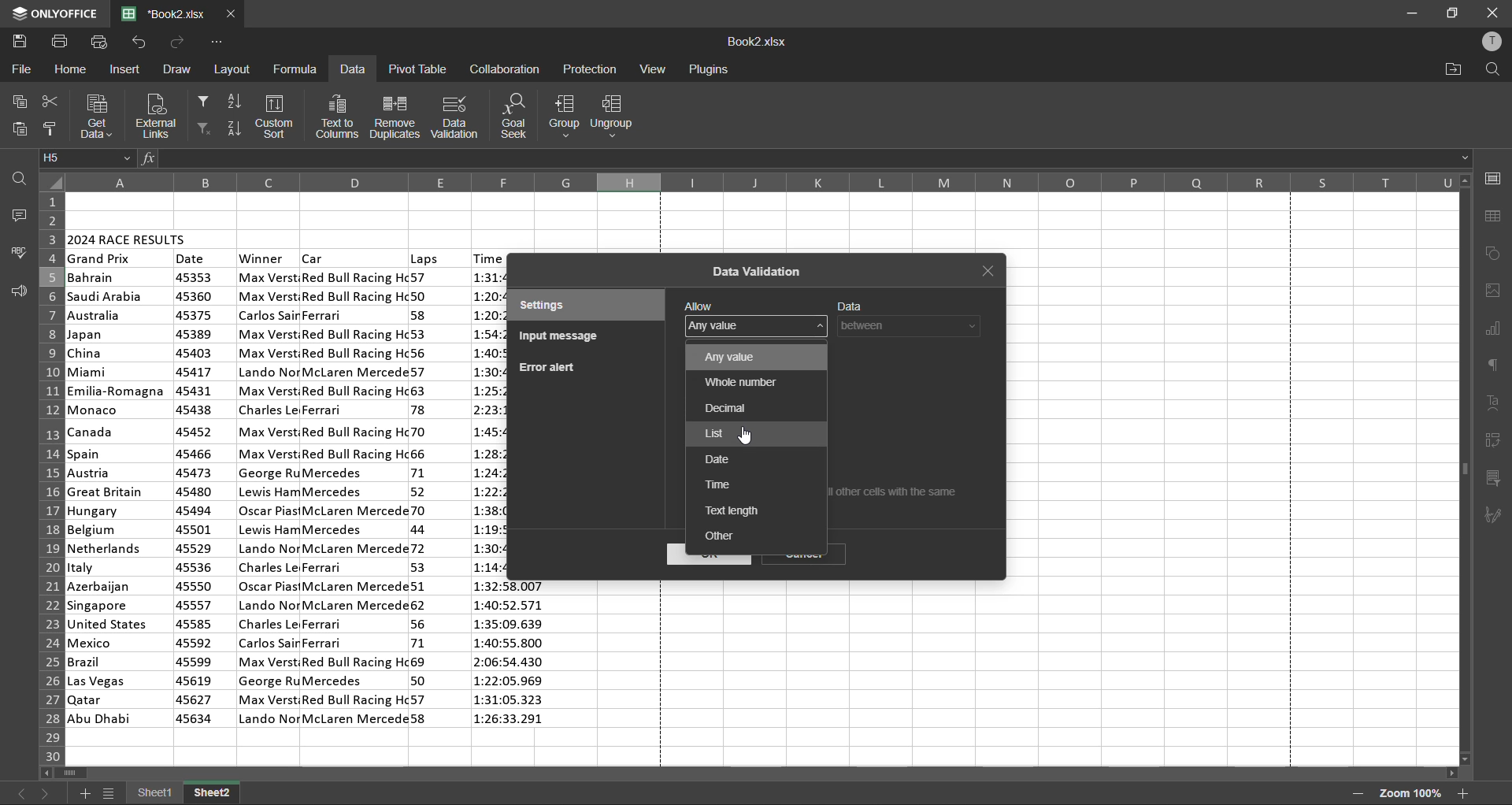 This screenshot has width=1512, height=805. I want to click on list, so click(713, 432).